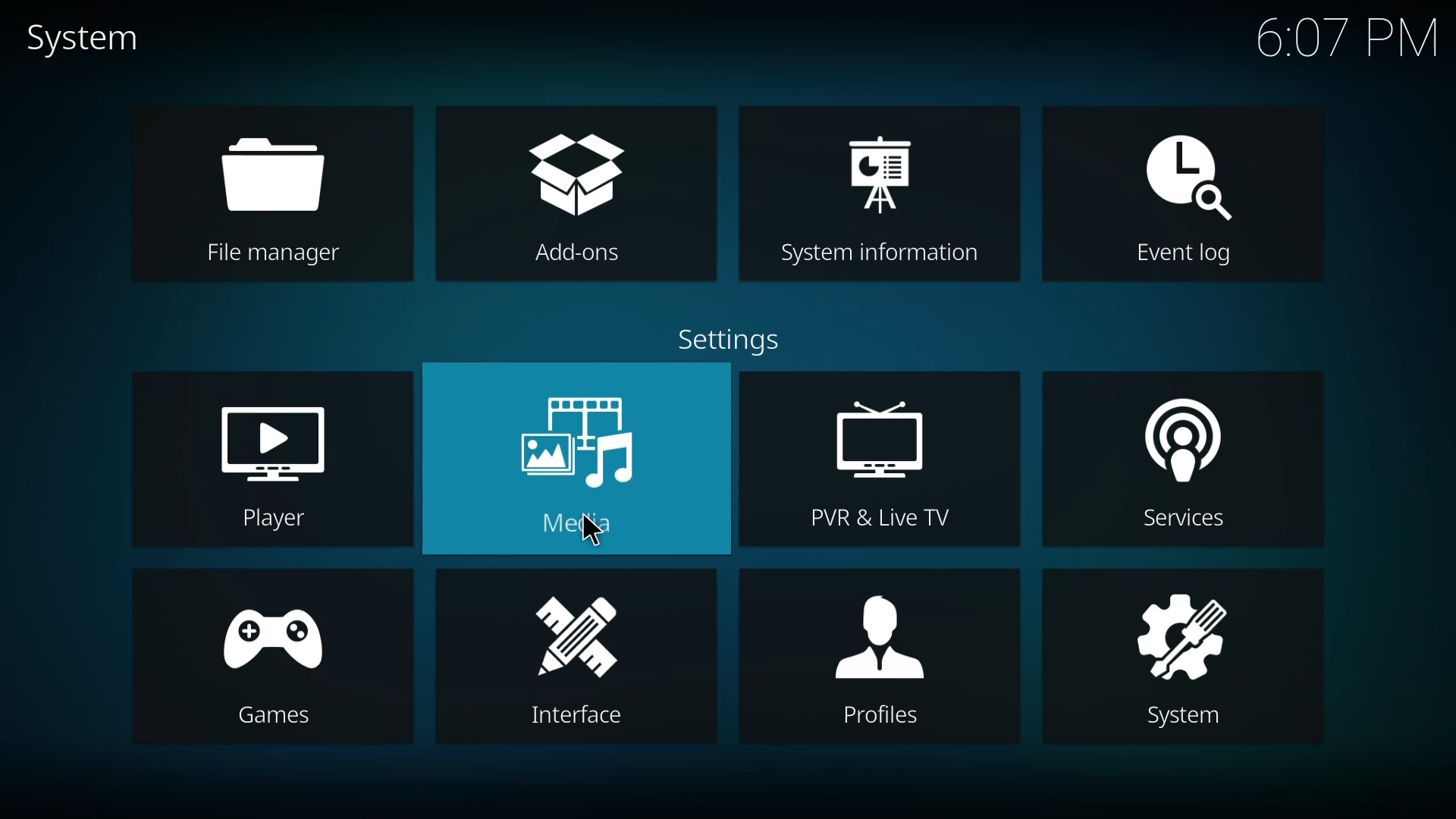 This screenshot has width=1456, height=819. Describe the element at coordinates (1185, 715) in the screenshot. I see `System` at that location.